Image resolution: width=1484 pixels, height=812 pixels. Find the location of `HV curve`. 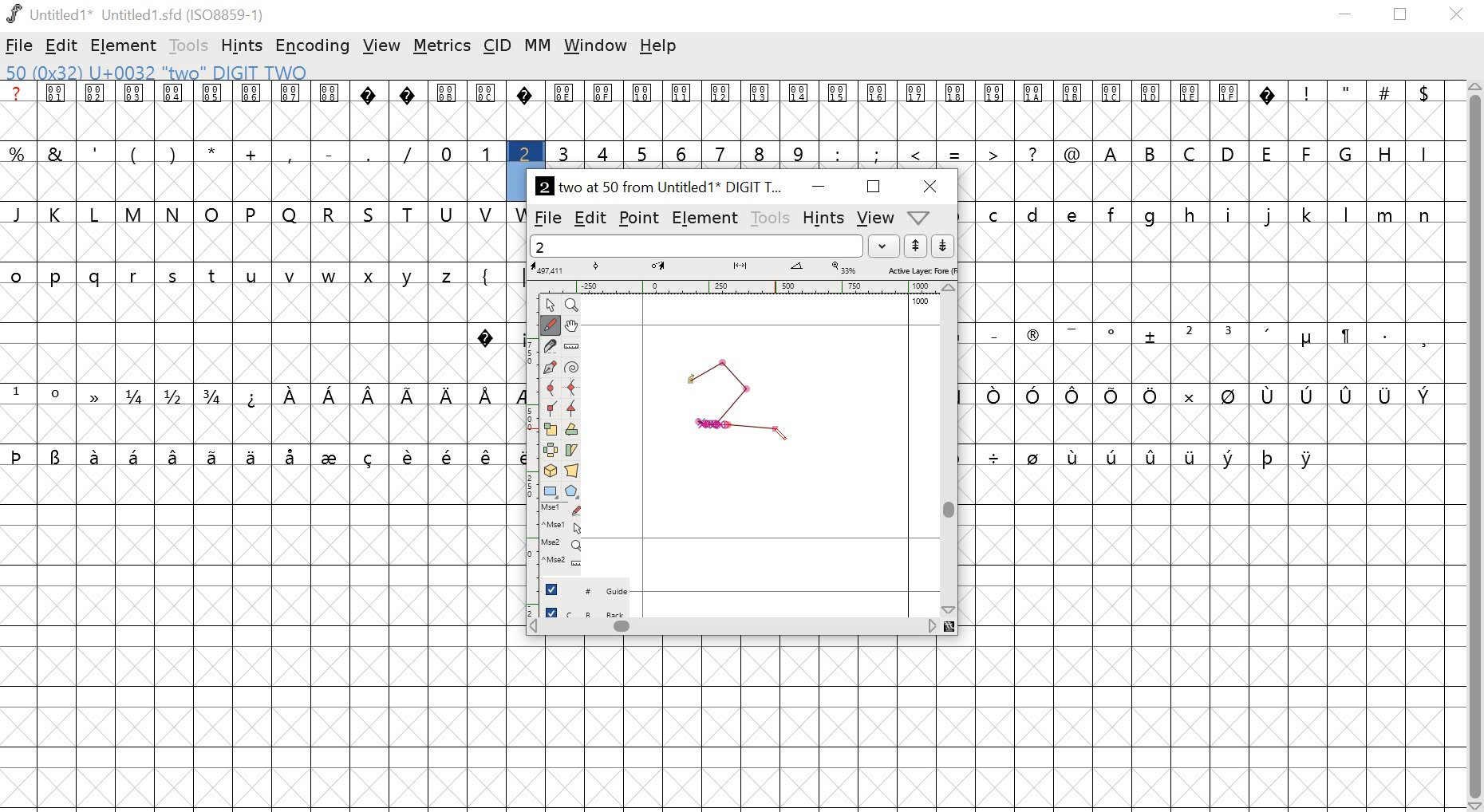

HV curve is located at coordinates (571, 388).